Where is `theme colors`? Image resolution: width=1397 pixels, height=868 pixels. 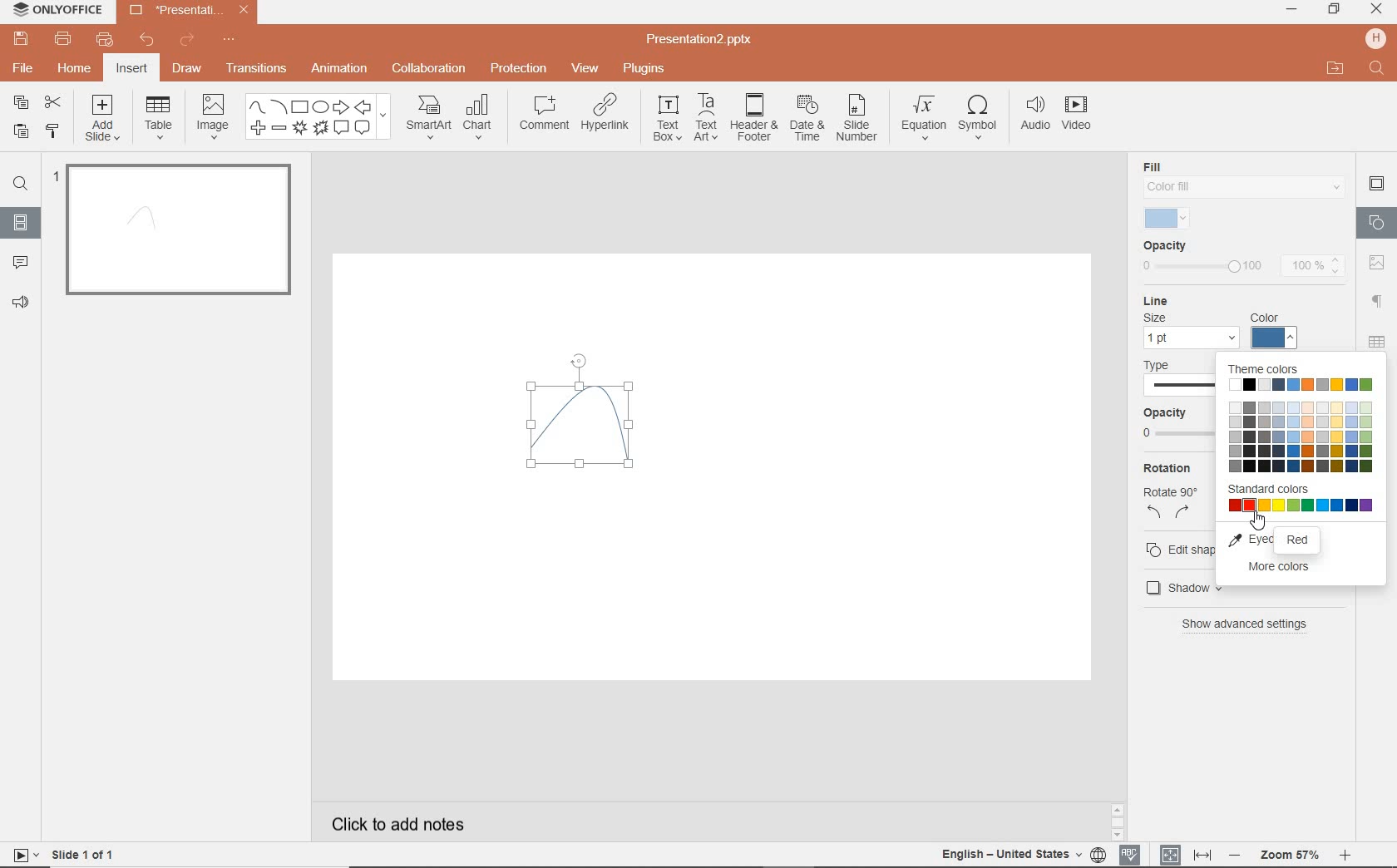
theme colors is located at coordinates (1300, 416).